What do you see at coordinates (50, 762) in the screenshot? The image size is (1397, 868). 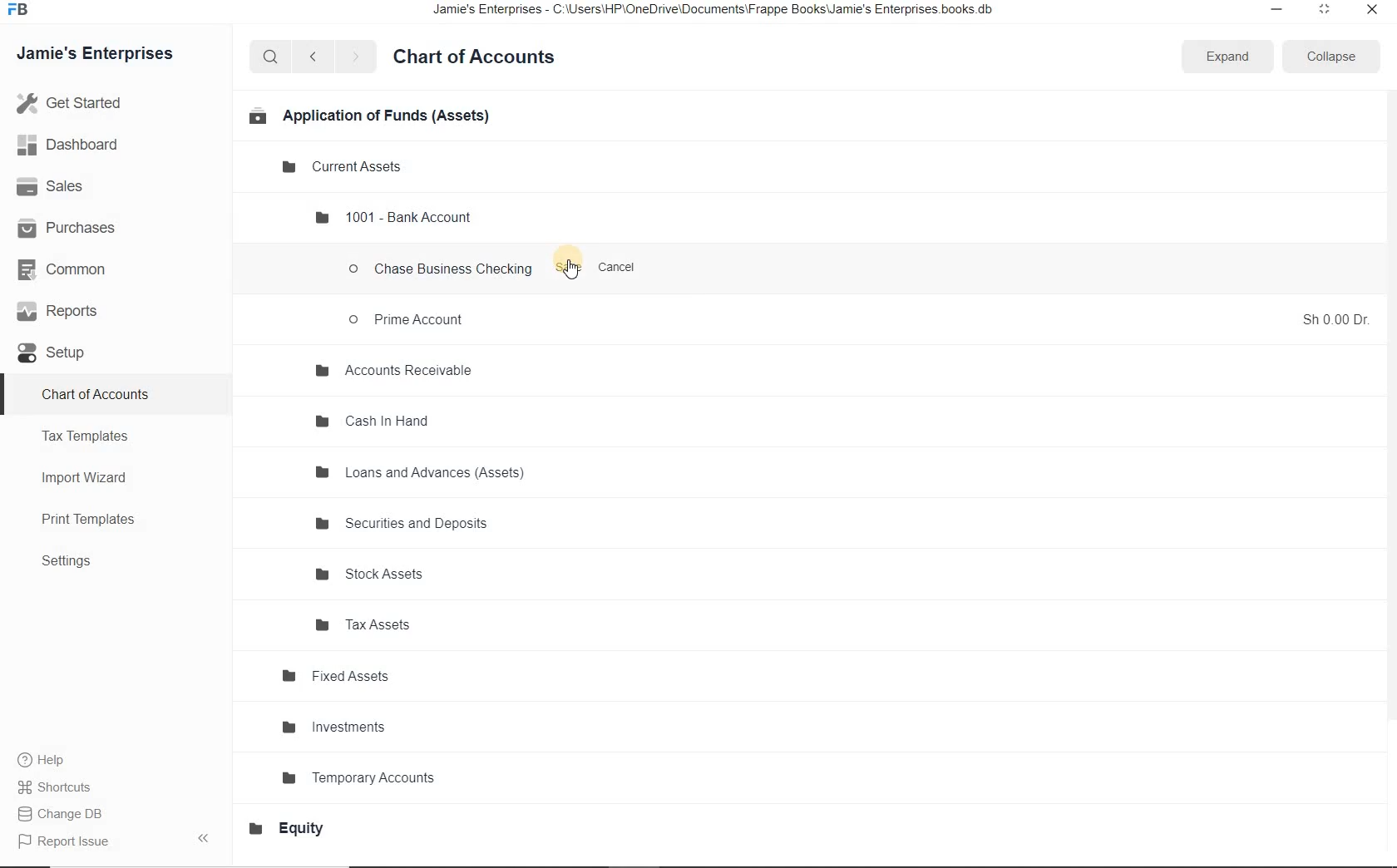 I see `Help` at bounding box center [50, 762].